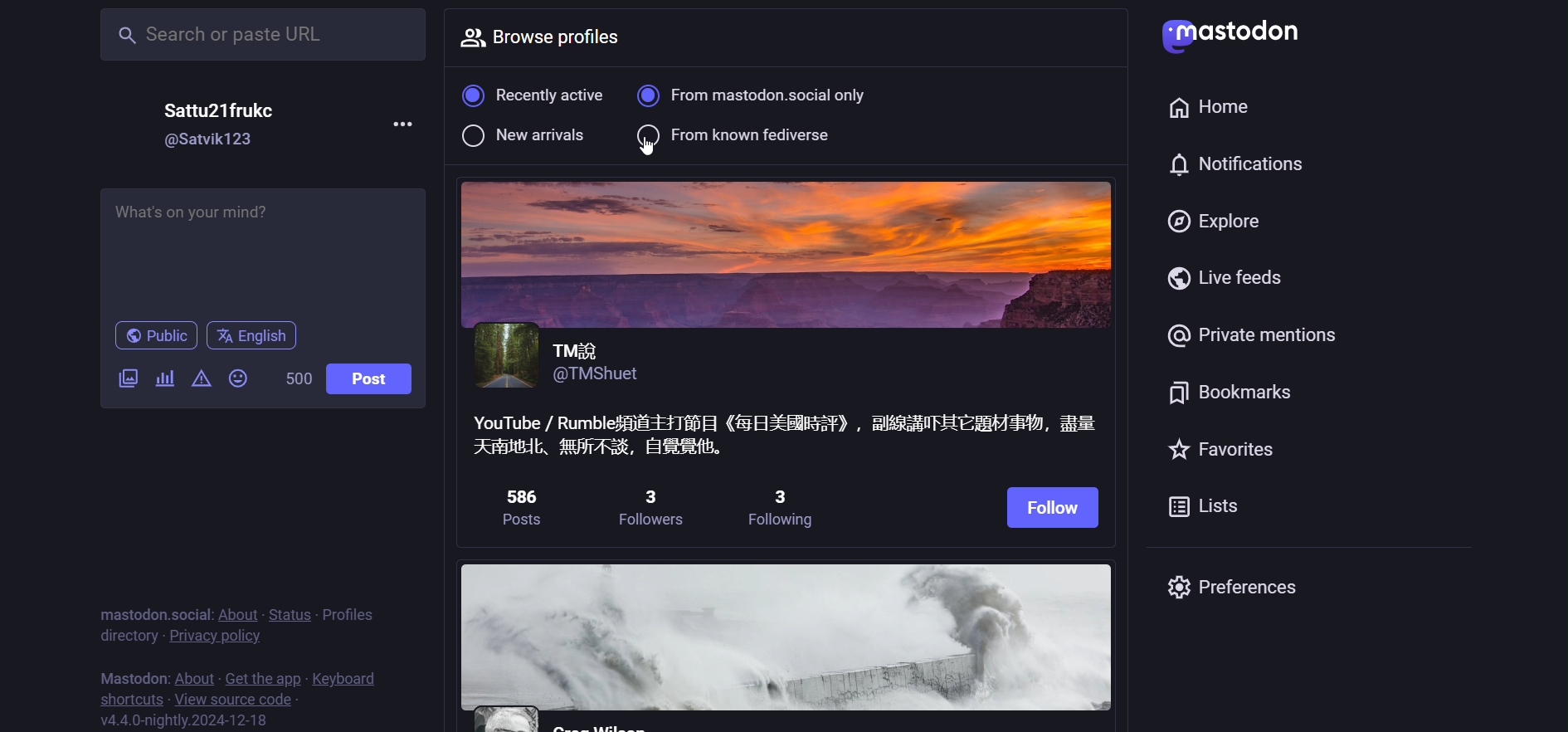 The width and height of the screenshot is (1568, 732). What do you see at coordinates (124, 632) in the screenshot?
I see `directory` at bounding box center [124, 632].